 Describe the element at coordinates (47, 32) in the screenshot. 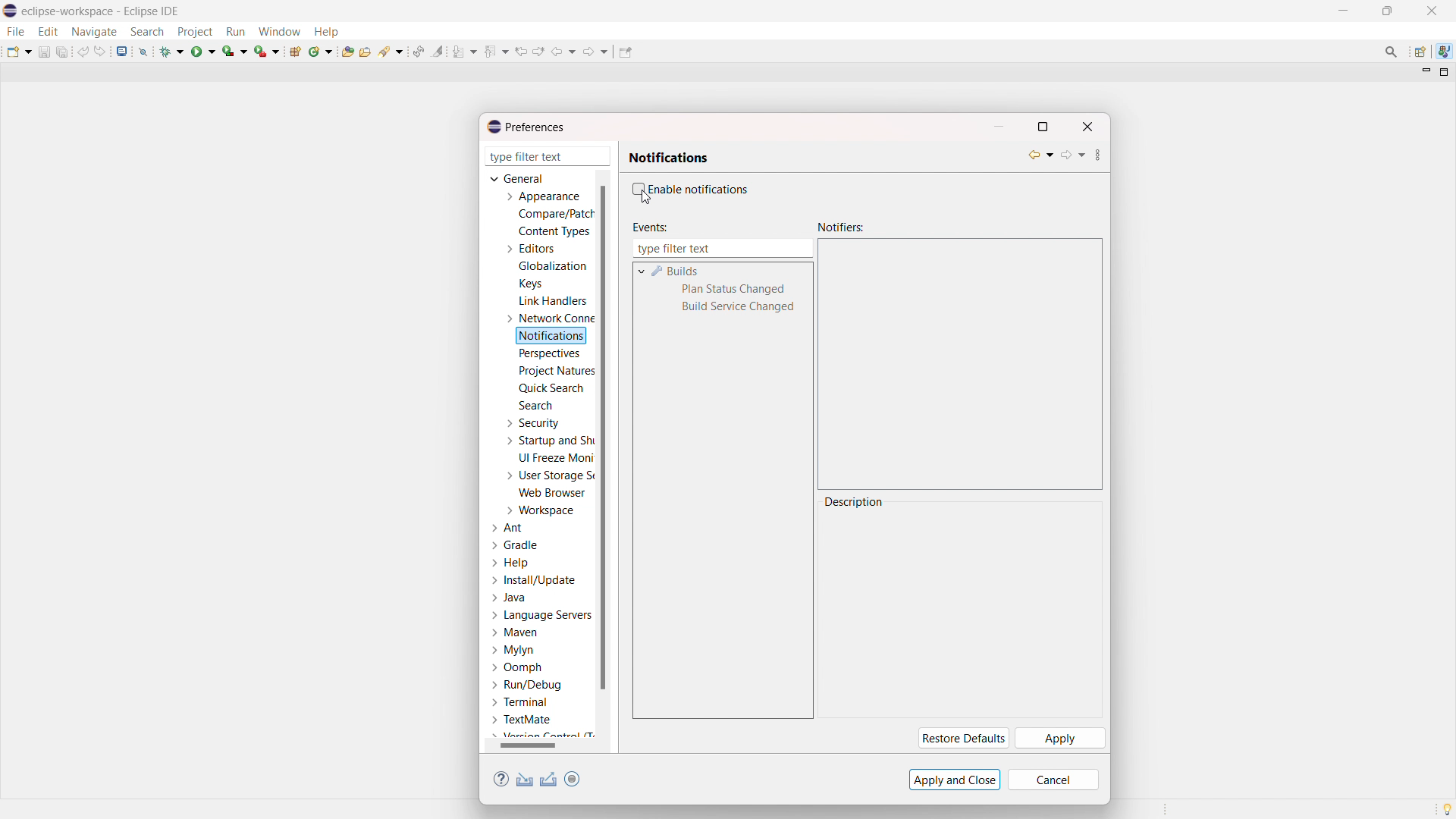

I see `edit` at that location.